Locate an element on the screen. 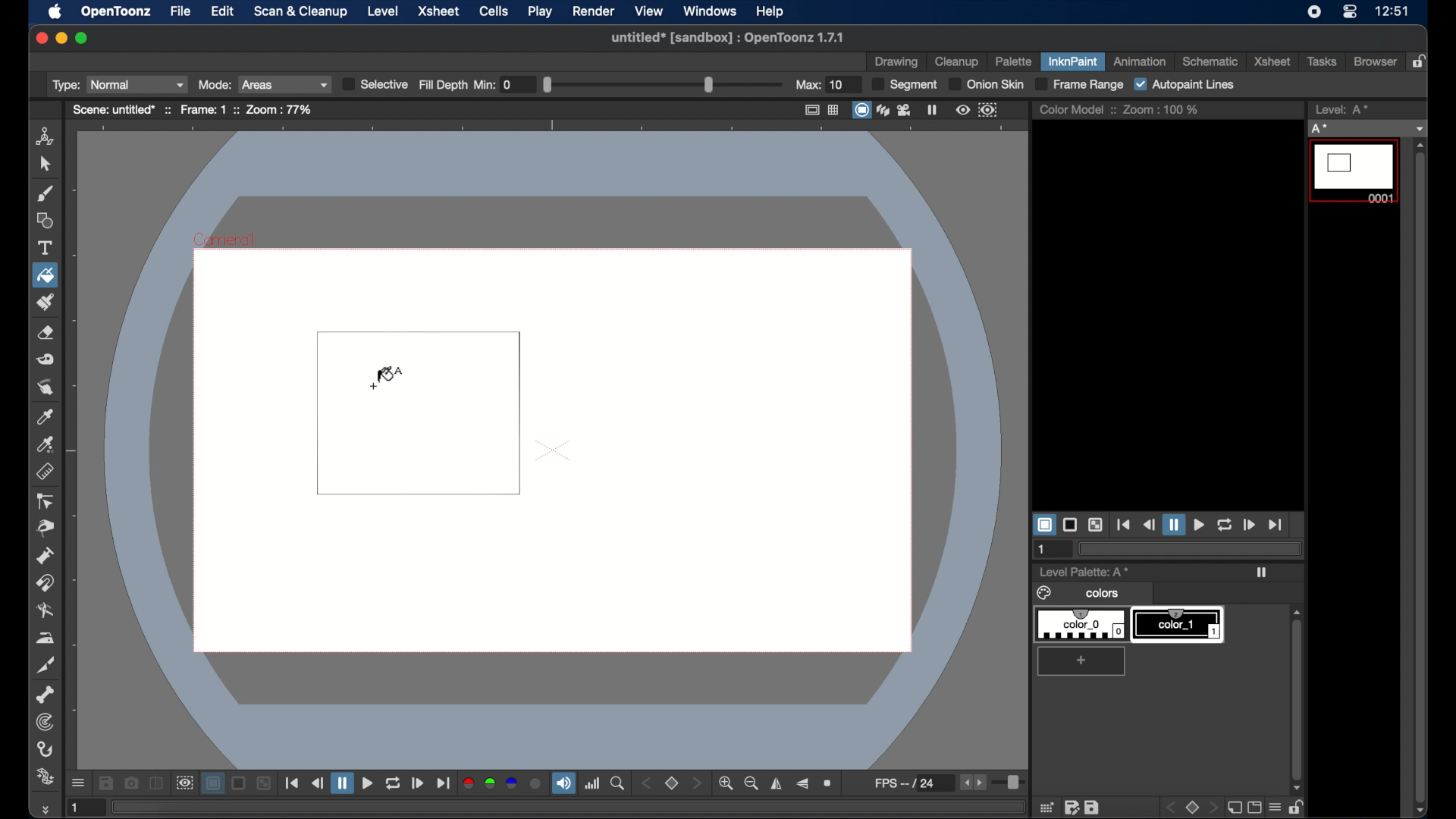 Image resolution: width=1456 pixels, height=819 pixels. fps is located at coordinates (913, 783).